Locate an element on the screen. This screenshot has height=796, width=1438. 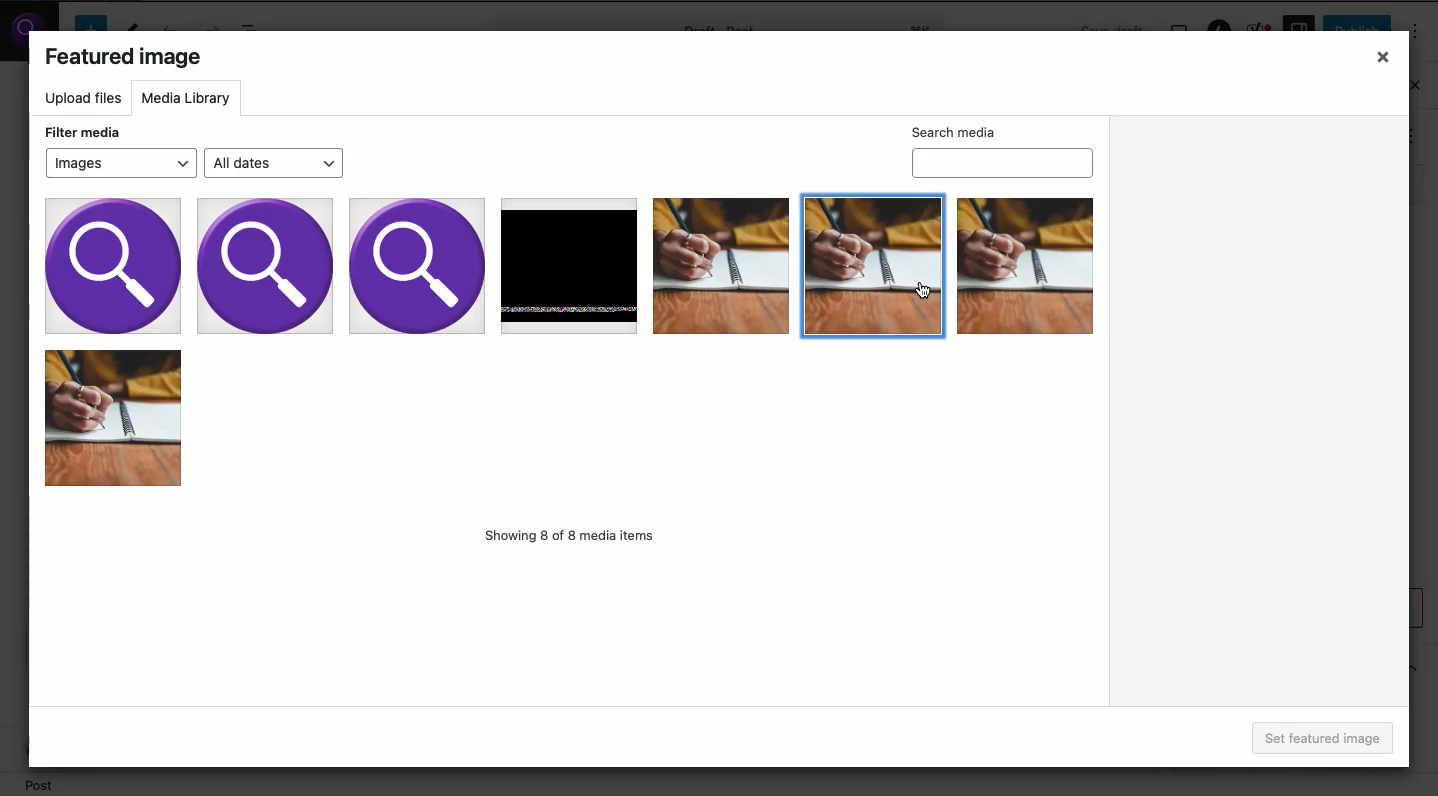
Image is located at coordinates (113, 265).